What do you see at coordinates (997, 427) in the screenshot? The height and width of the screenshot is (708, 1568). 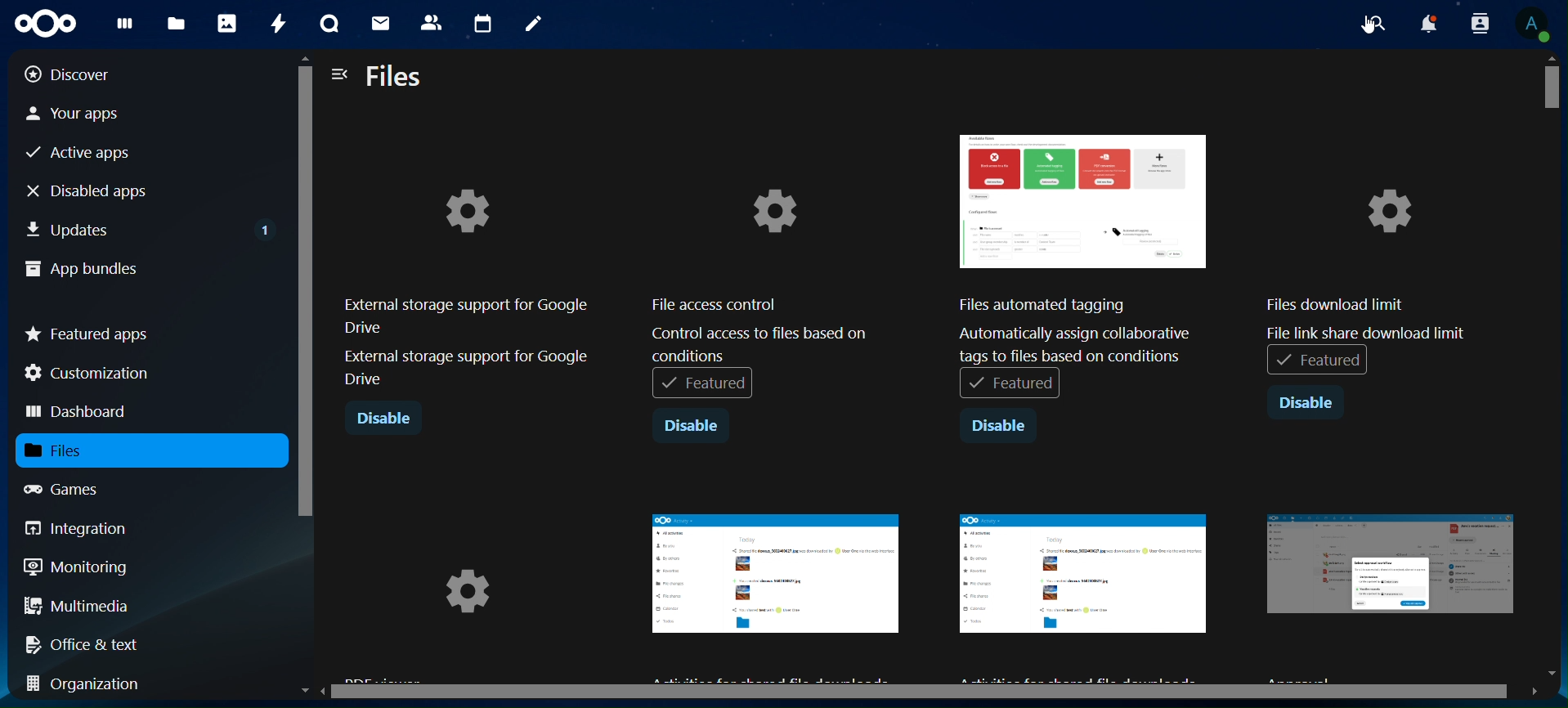 I see `disable` at bounding box center [997, 427].